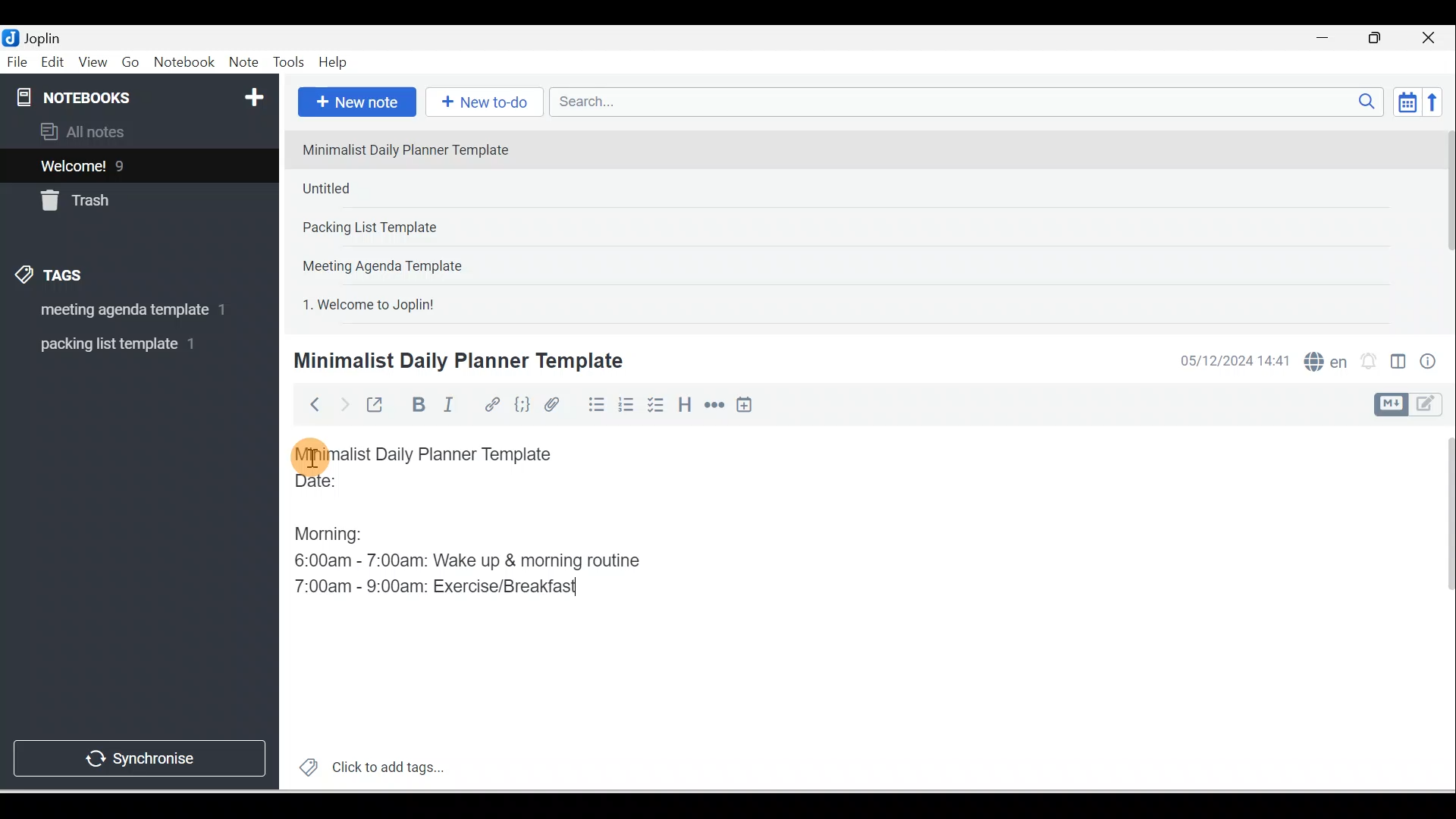  Describe the element at coordinates (418, 228) in the screenshot. I see `Note 3` at that location.